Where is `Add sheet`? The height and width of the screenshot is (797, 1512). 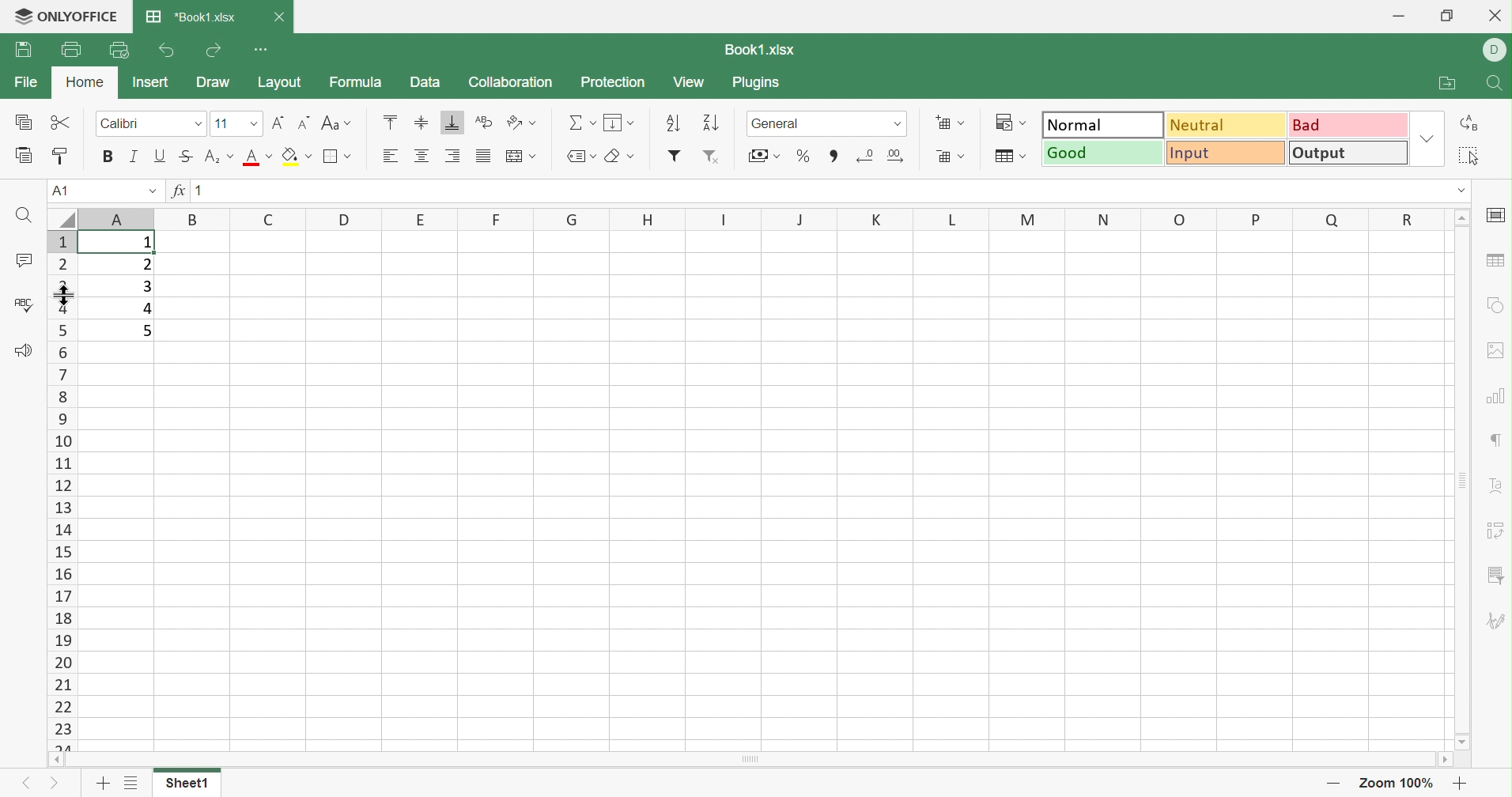 Add sheet is located at coordinates (102, 782).